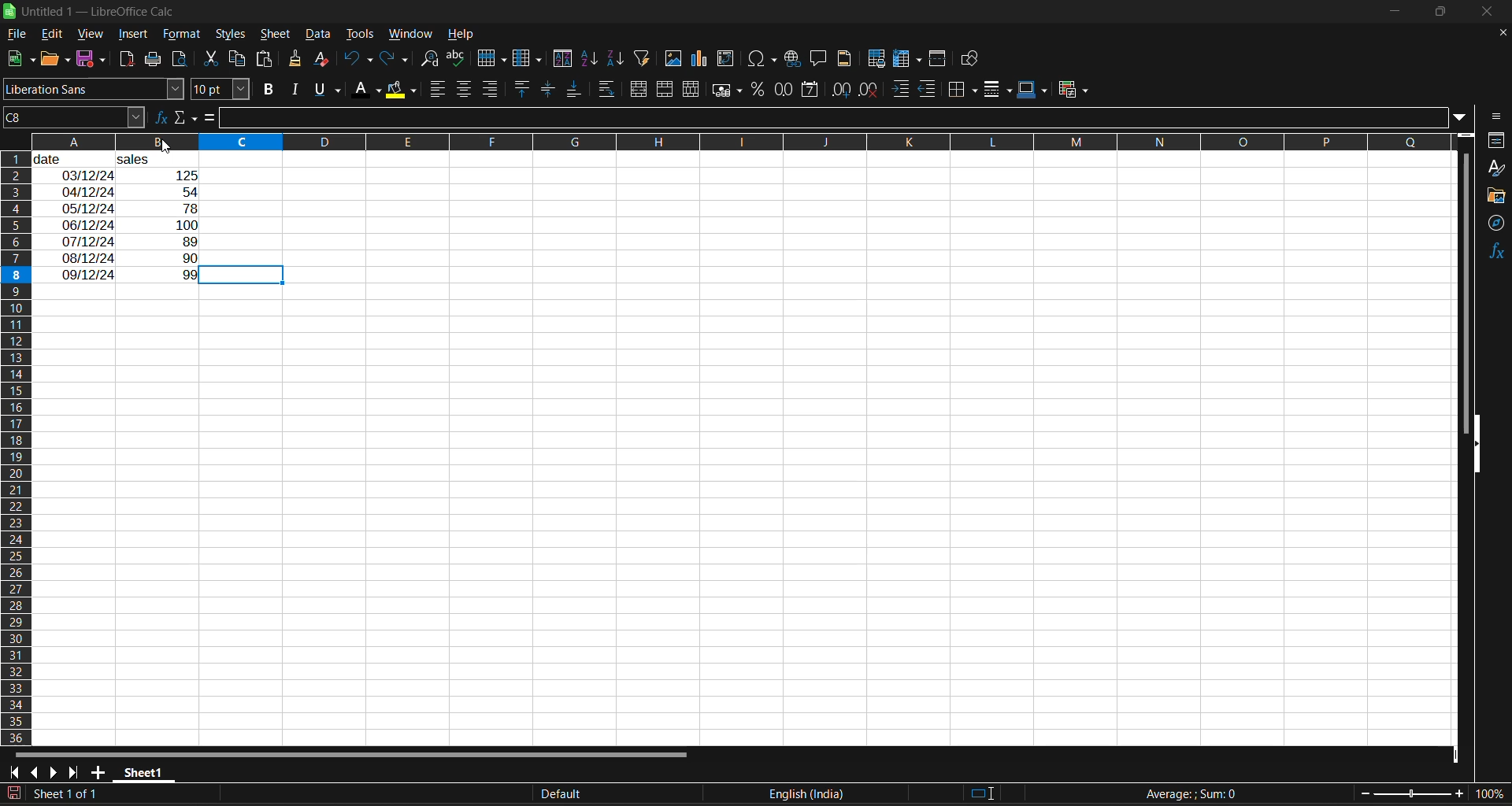  Describe the element at coordinates (808, 91) in the screenshot. I see `format as date` at that location.